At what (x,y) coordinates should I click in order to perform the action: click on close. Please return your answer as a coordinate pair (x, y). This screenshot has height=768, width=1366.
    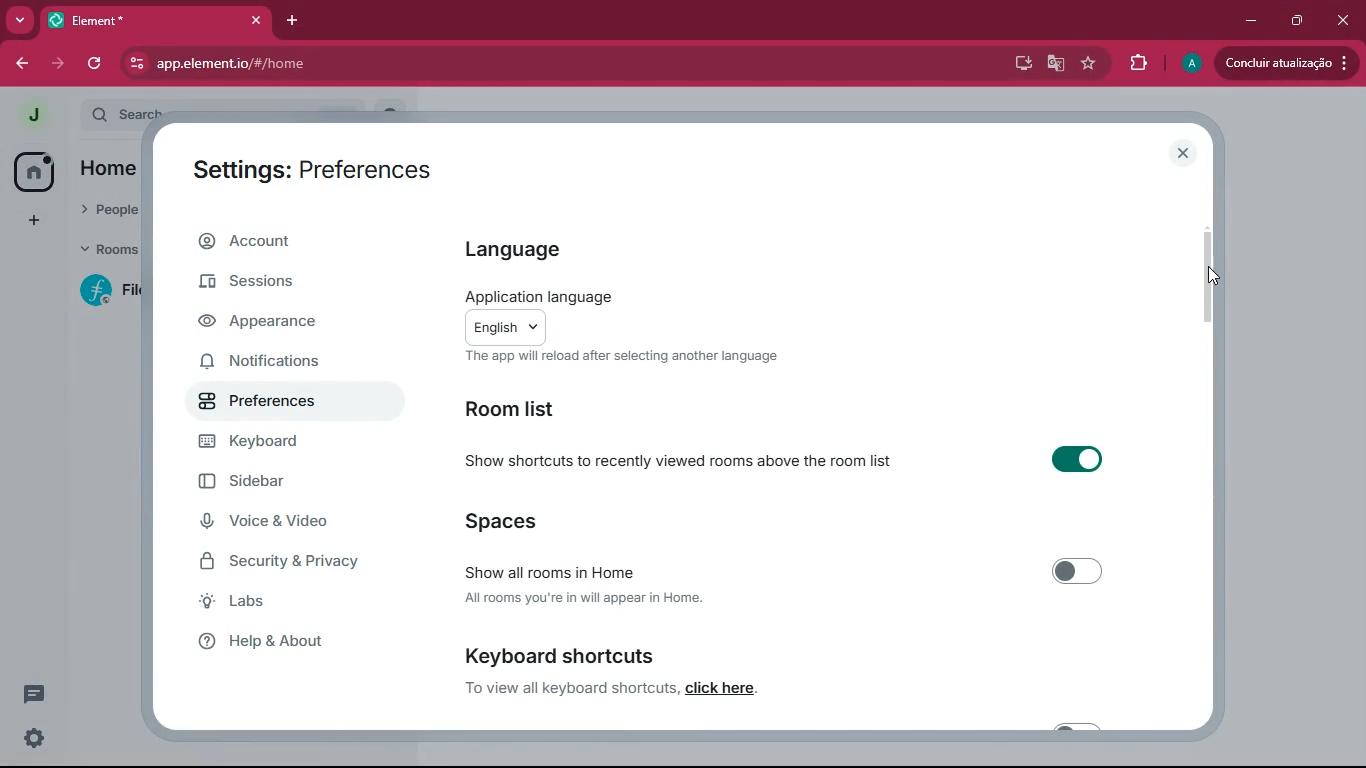
    Looking at the image, I should click on (1185, 155).